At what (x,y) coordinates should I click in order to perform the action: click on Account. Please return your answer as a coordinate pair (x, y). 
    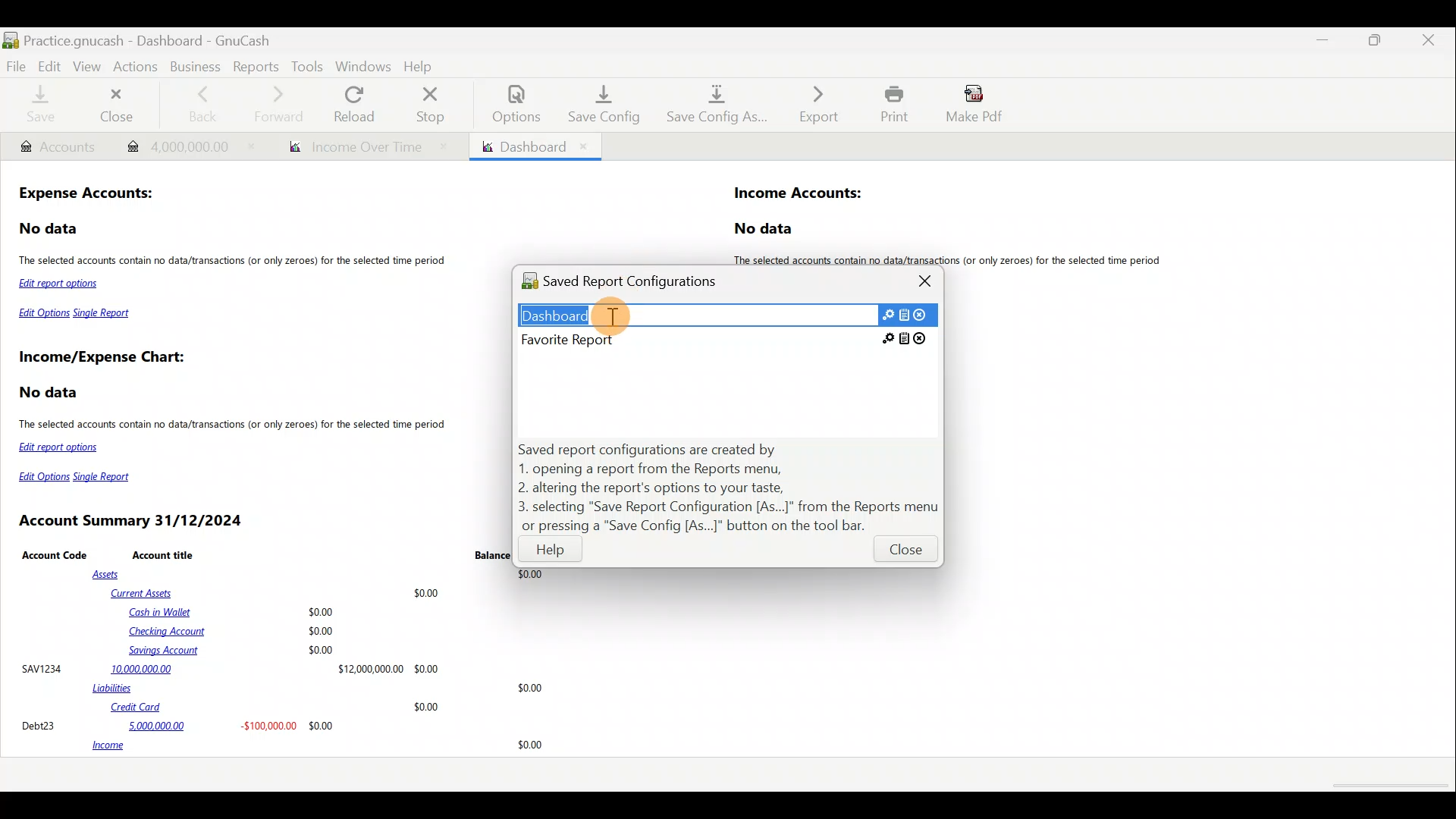
    Looking at the image, I should click on (57, 147).